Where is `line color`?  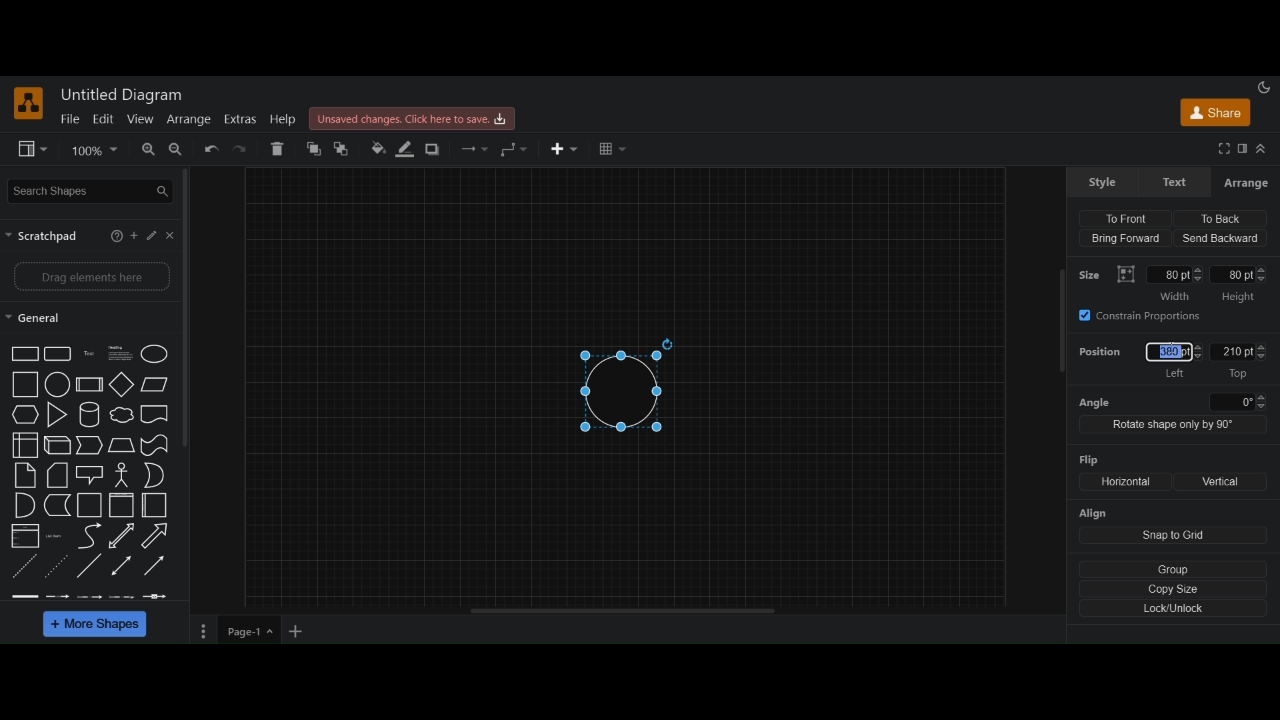 line color is located at coordinates (405, 148).